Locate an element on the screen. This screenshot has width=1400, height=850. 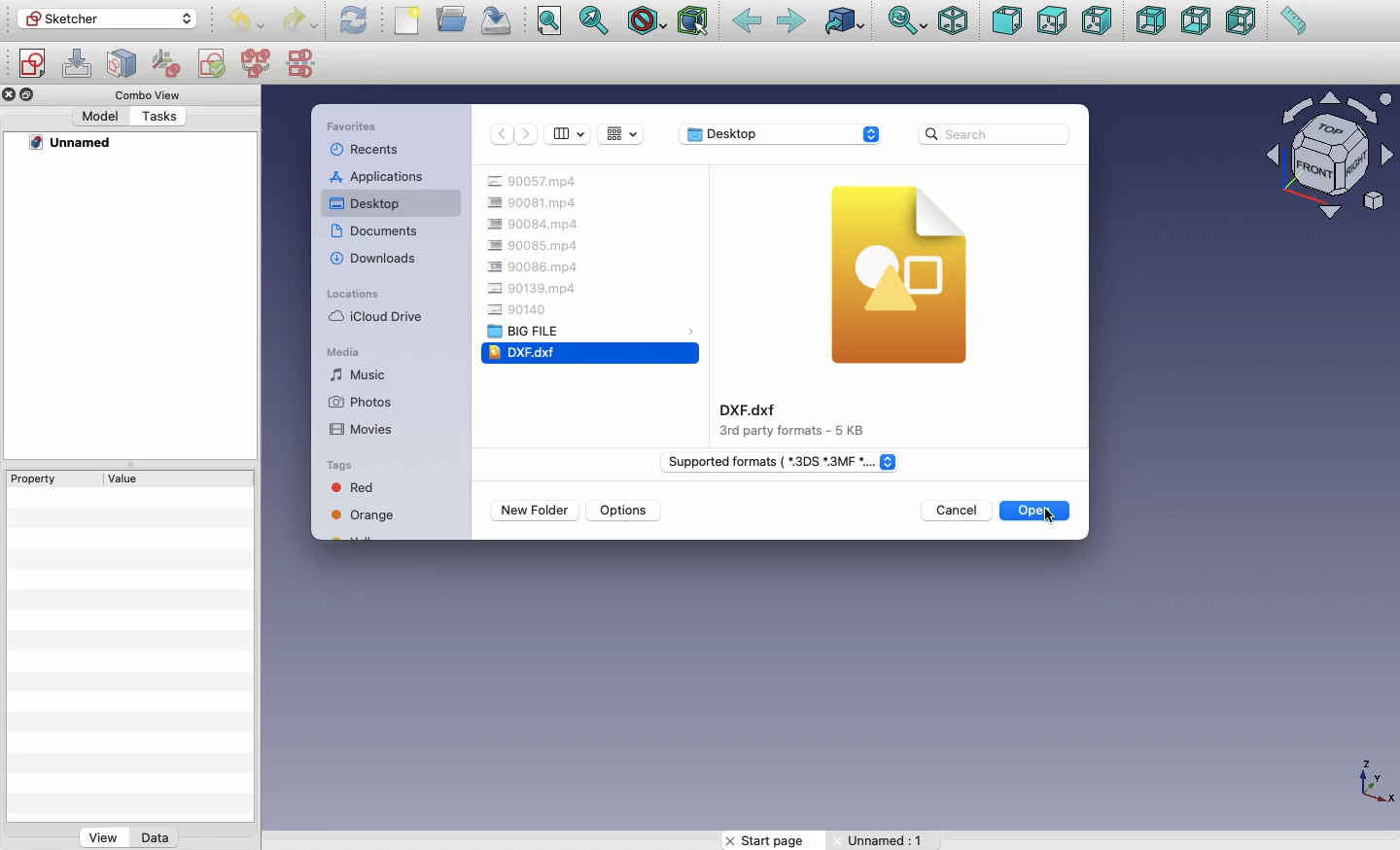
Create sketch is located at coordinates (32, 64).